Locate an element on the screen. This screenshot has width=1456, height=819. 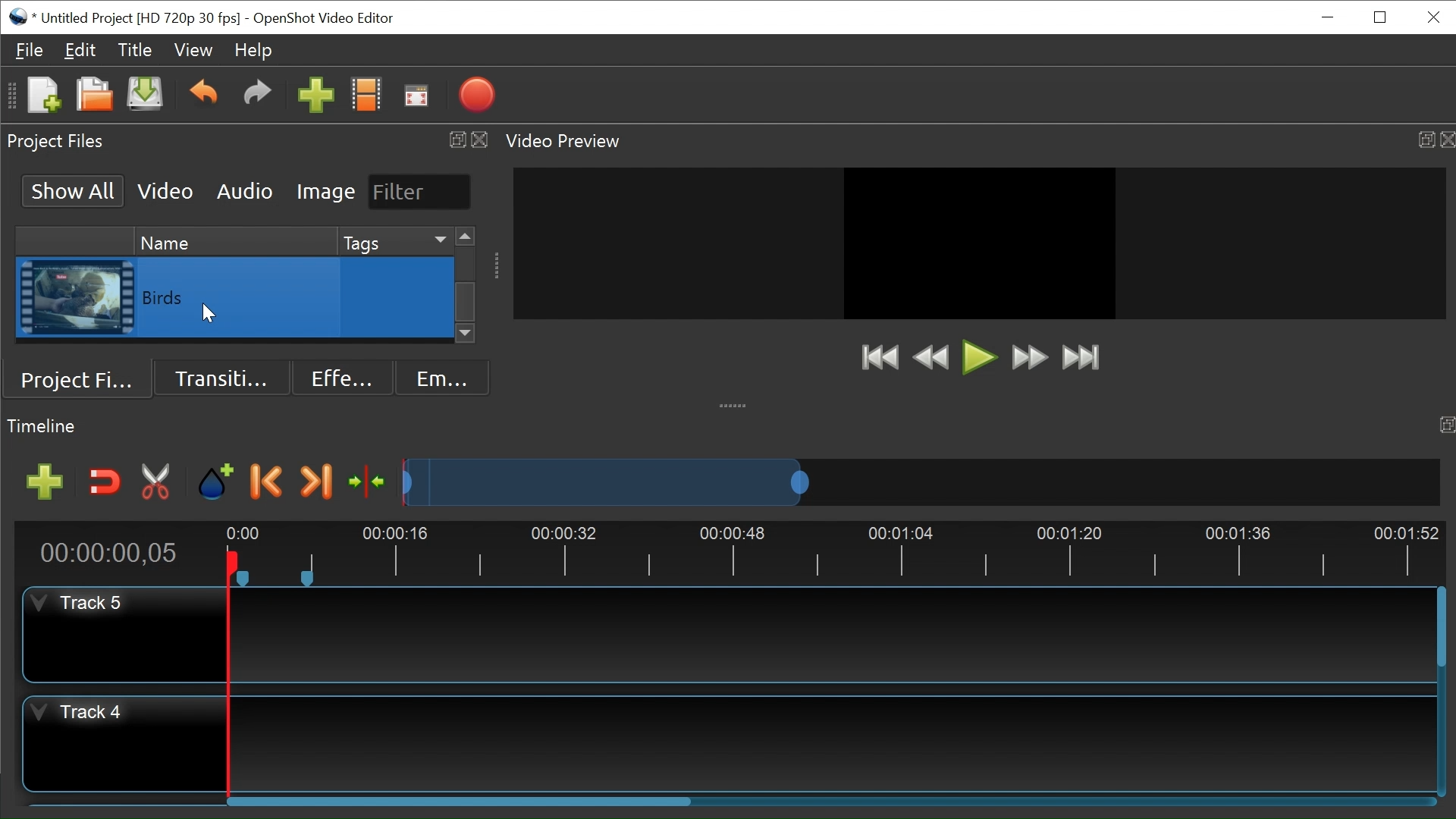
Razor is located at coordinates (157, 482).